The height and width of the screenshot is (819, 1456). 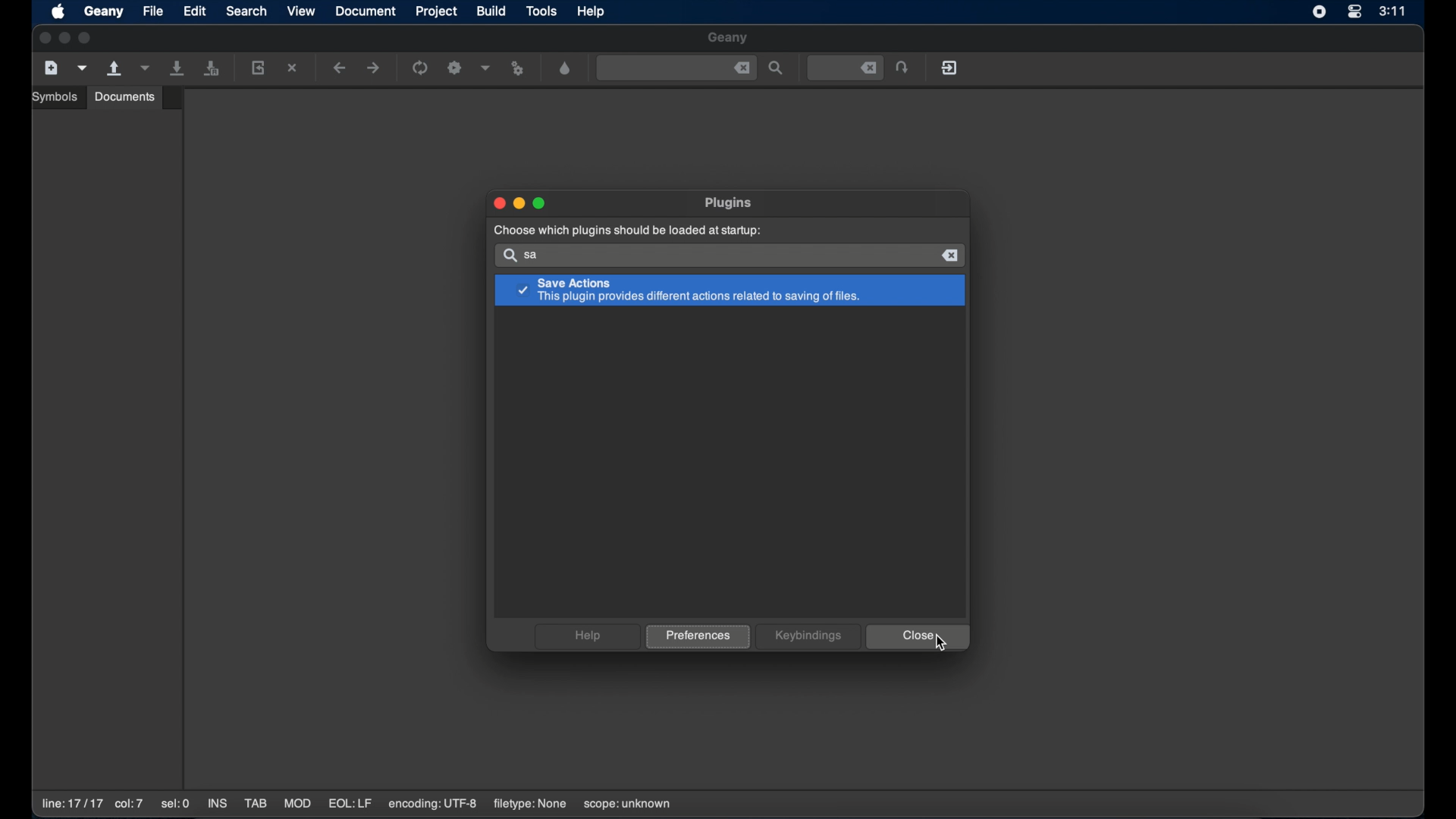 What do you see at coordinates (529, 804) in the screenshot?
I see `filetype: none` at bounding box center [529, 804].